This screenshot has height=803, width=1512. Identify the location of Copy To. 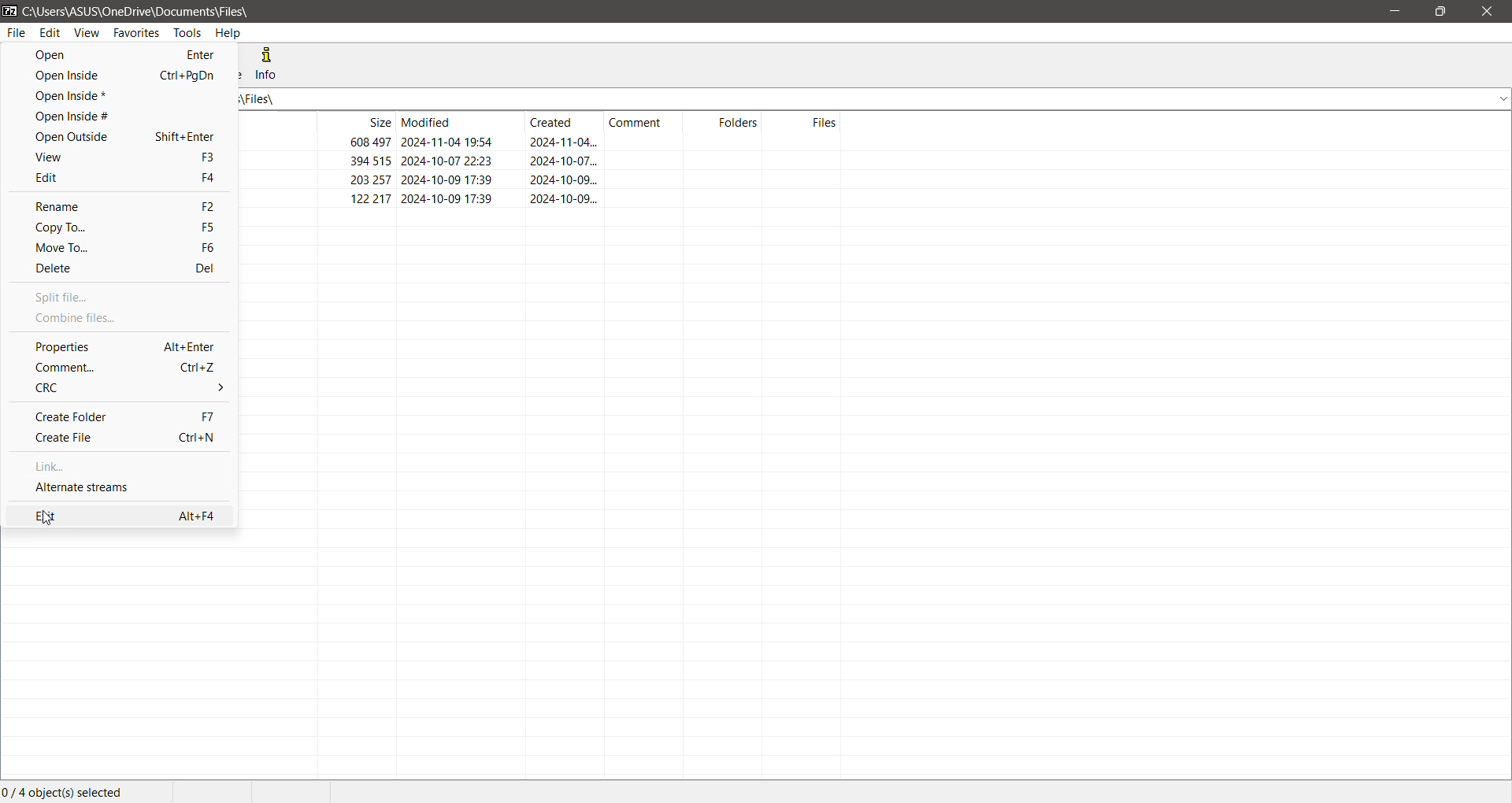
(124, 227).